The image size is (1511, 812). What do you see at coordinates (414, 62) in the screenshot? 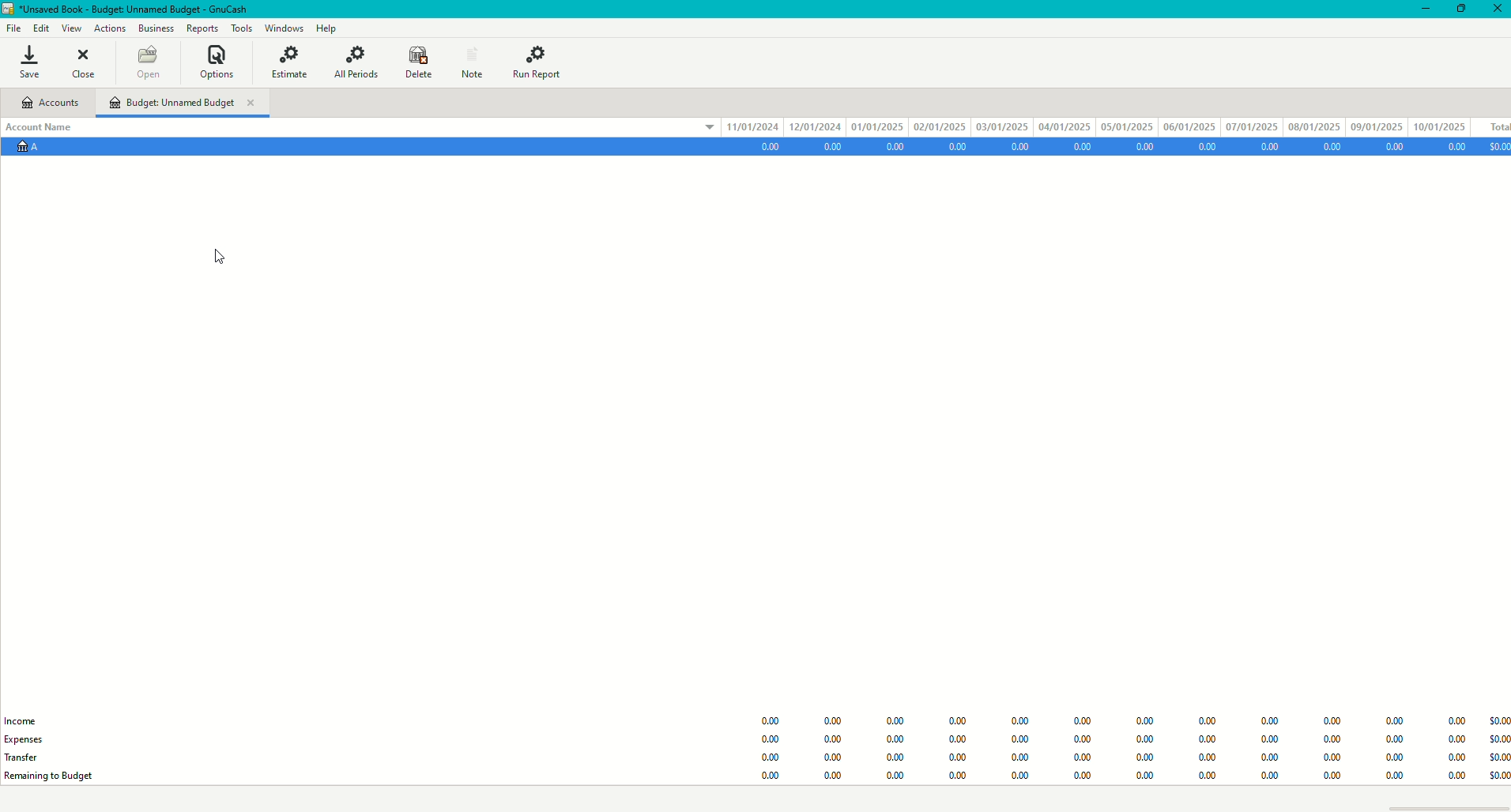
I see `Delete` at bounding box center [414, 62].